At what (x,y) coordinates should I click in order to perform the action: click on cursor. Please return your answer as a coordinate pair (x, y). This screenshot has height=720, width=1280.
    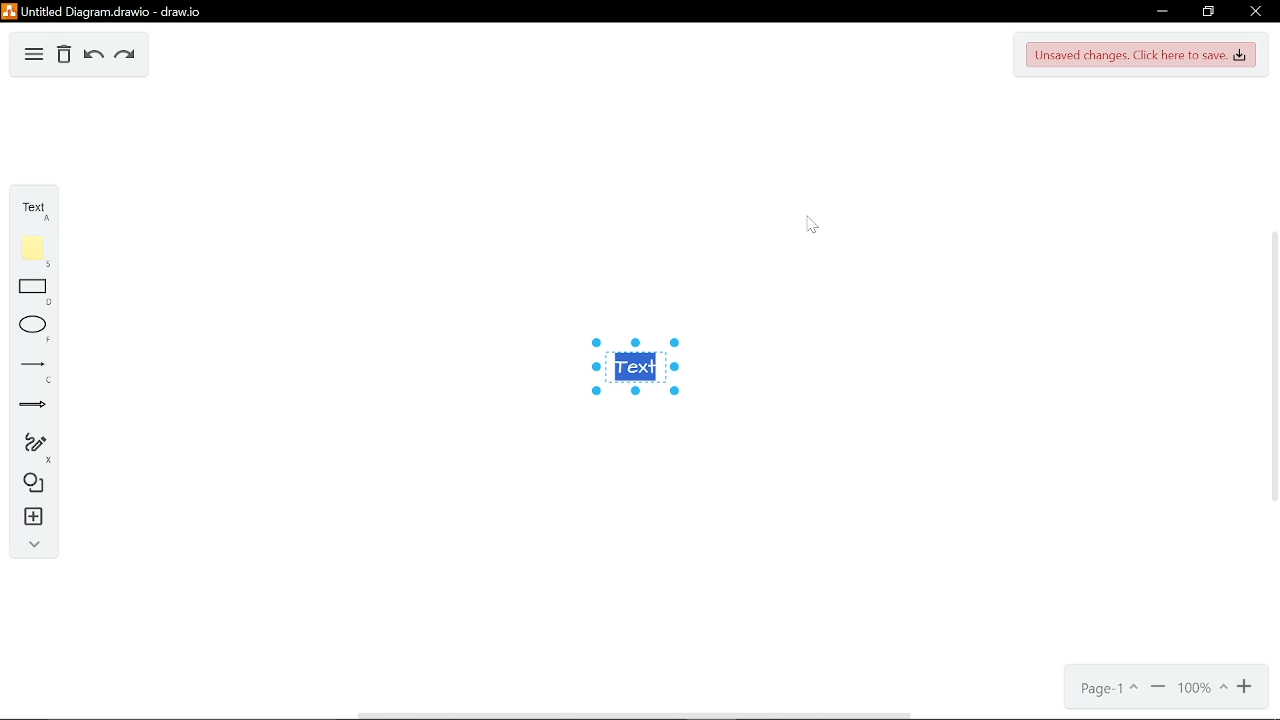
    Looking at the image, I should click on (810, 224).